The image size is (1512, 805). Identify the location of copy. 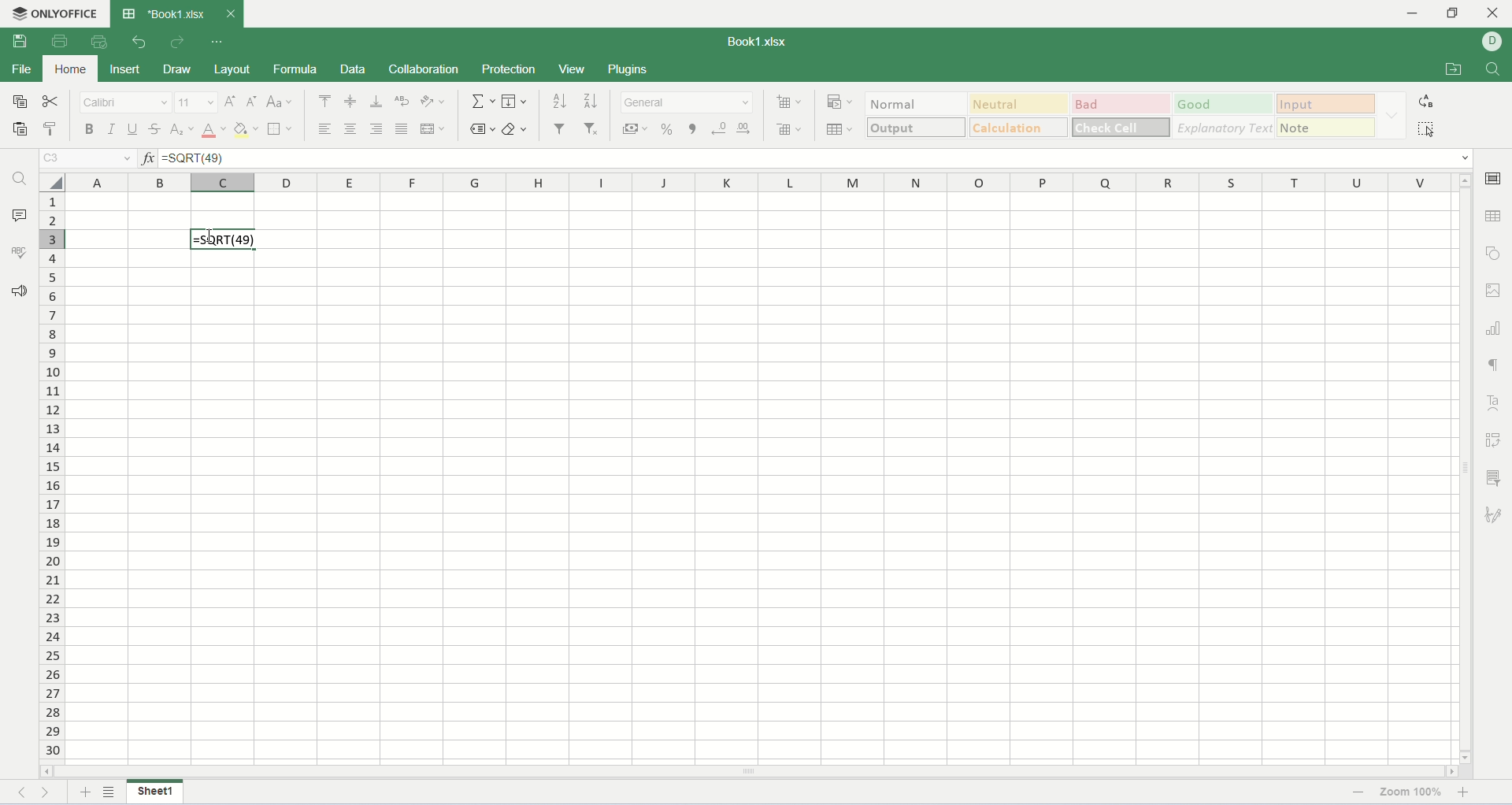
(16, 100).